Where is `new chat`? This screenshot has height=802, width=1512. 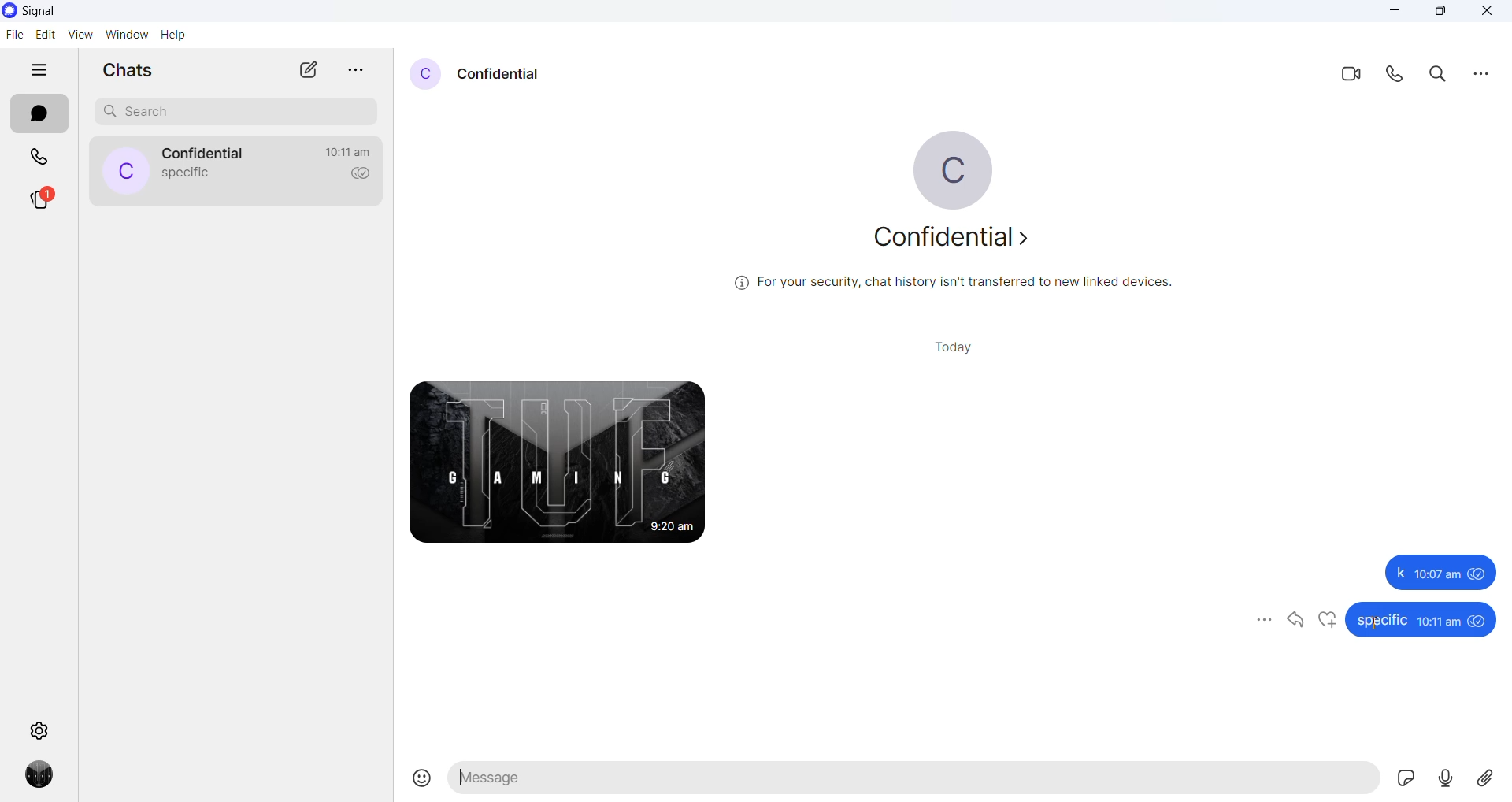
new chat is located at coordinates (309, 70).